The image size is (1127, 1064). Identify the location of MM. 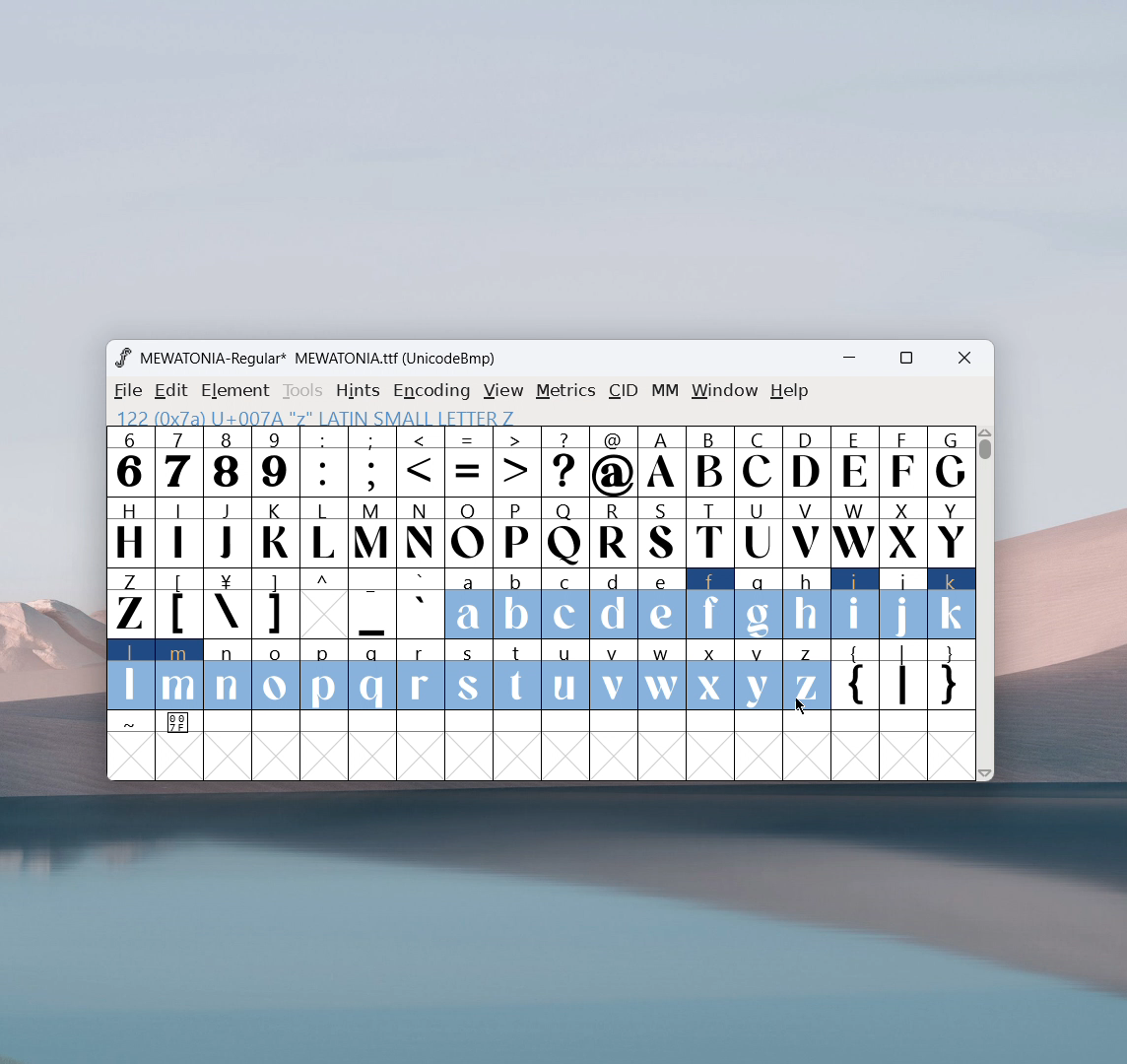
(666, 392).